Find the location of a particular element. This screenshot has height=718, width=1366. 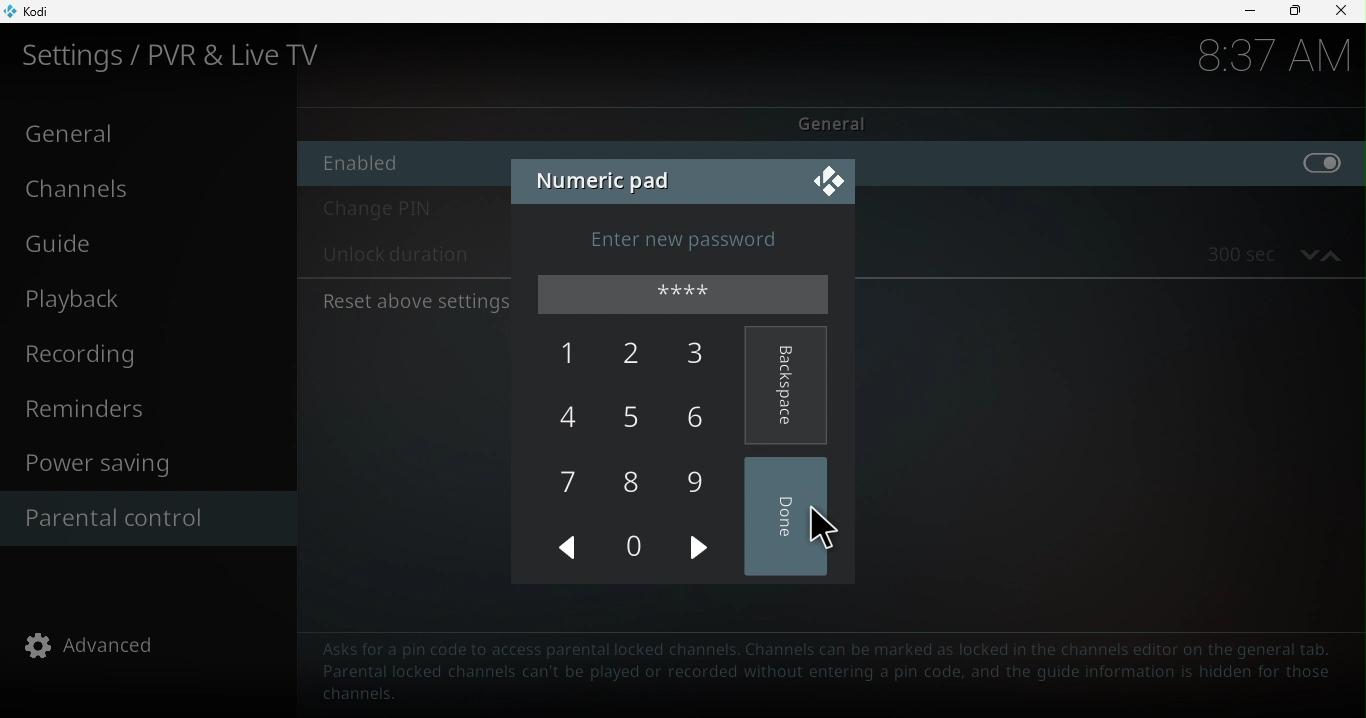

General is located at coordinates (145, 134).